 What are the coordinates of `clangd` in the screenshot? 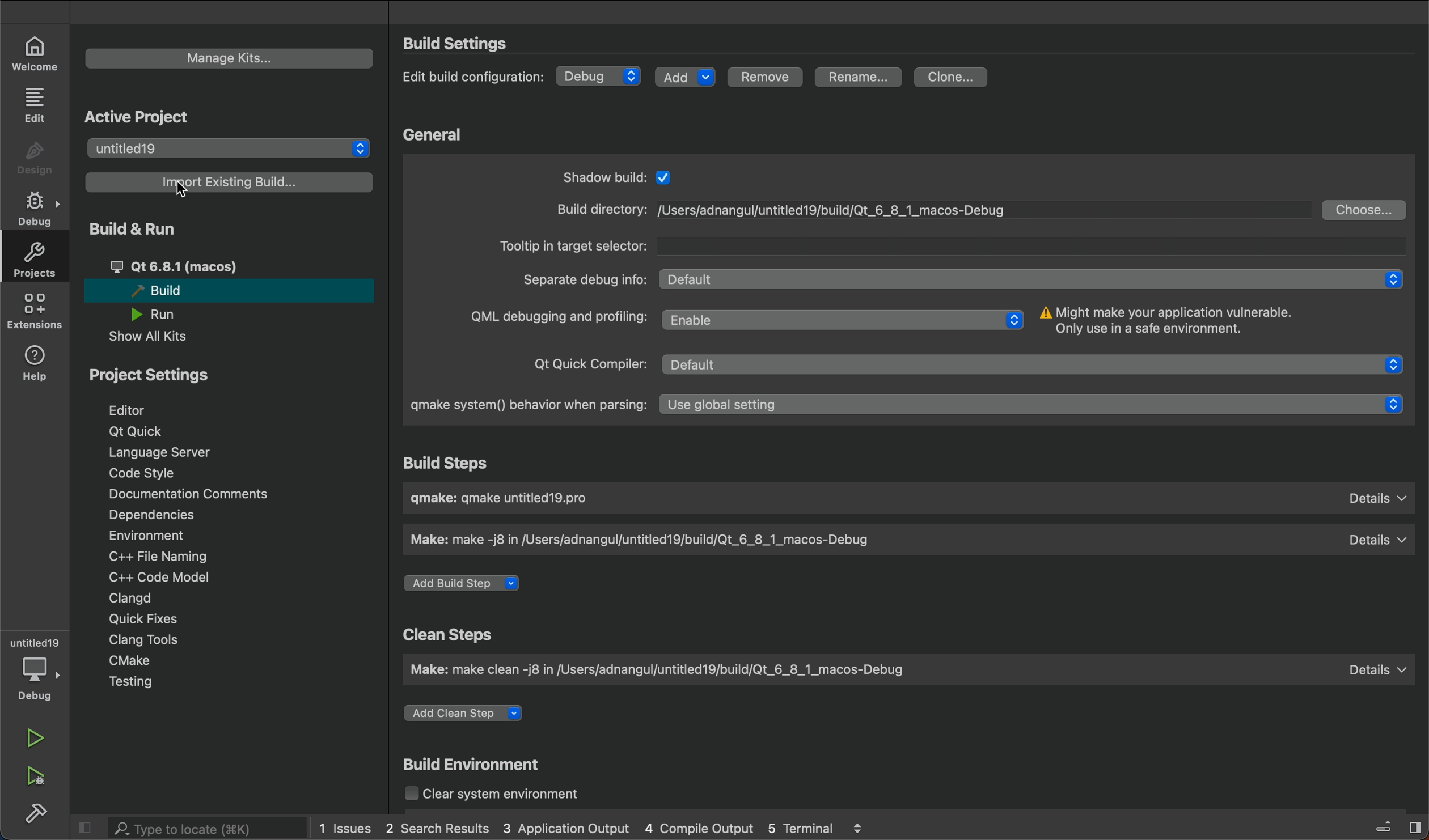 It's located at (130, 598).